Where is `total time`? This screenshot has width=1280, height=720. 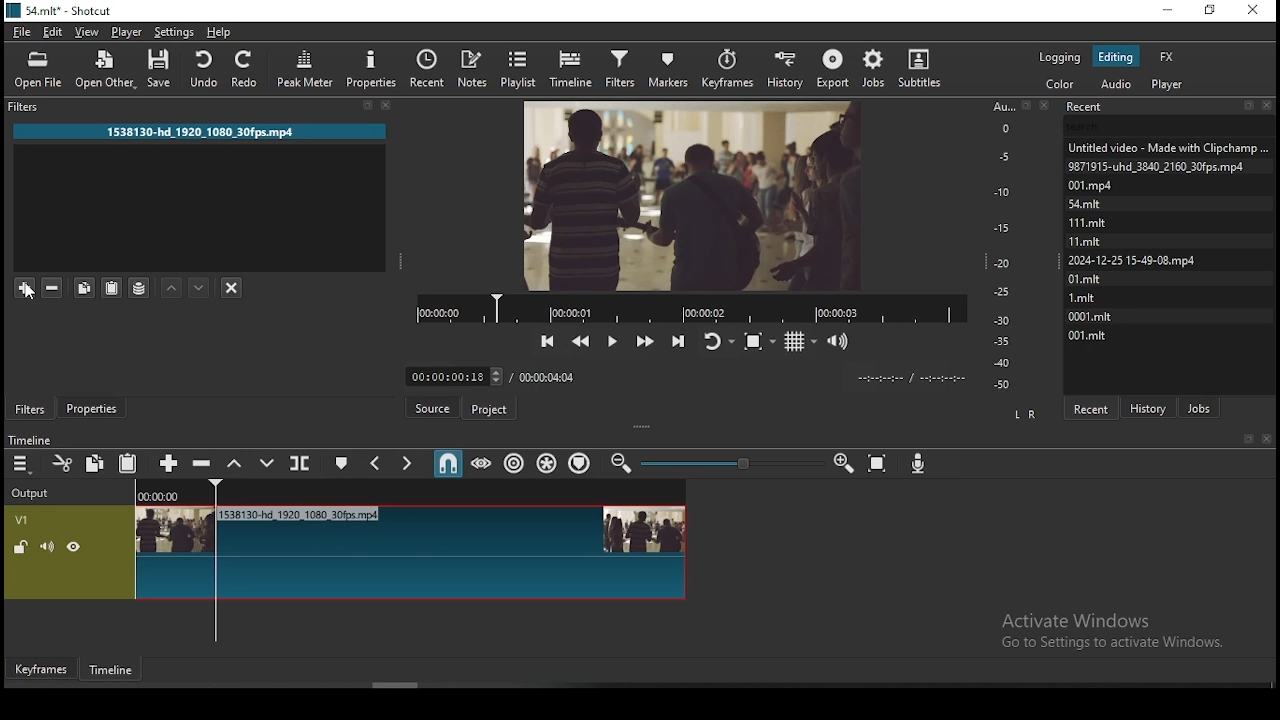
total time is located at coordinates (548, 376).